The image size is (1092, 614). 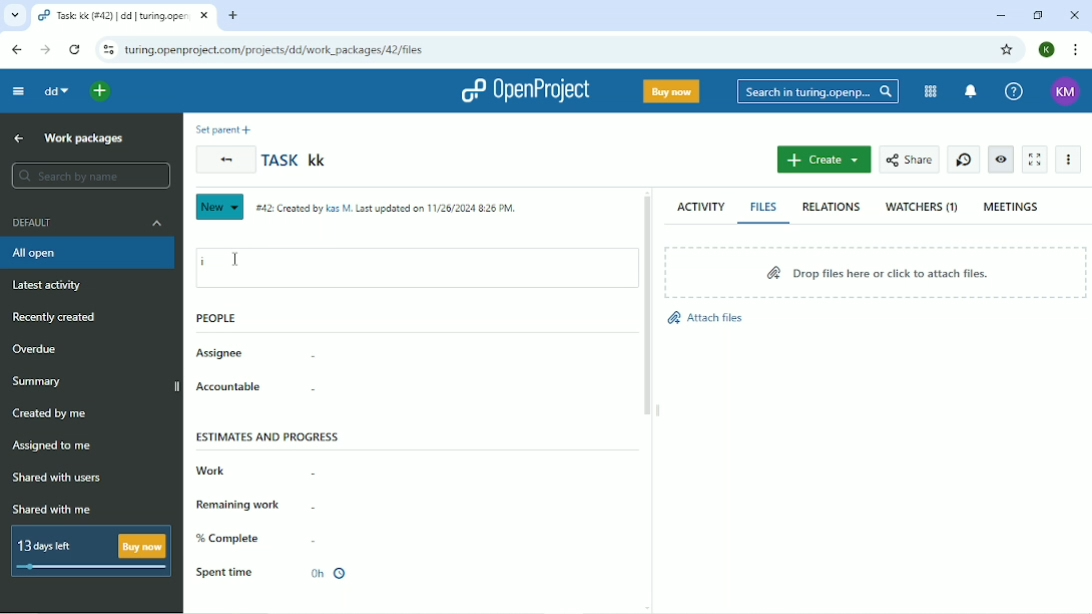 I want to click on Unwatch work package, so click(x=1000, y=159).